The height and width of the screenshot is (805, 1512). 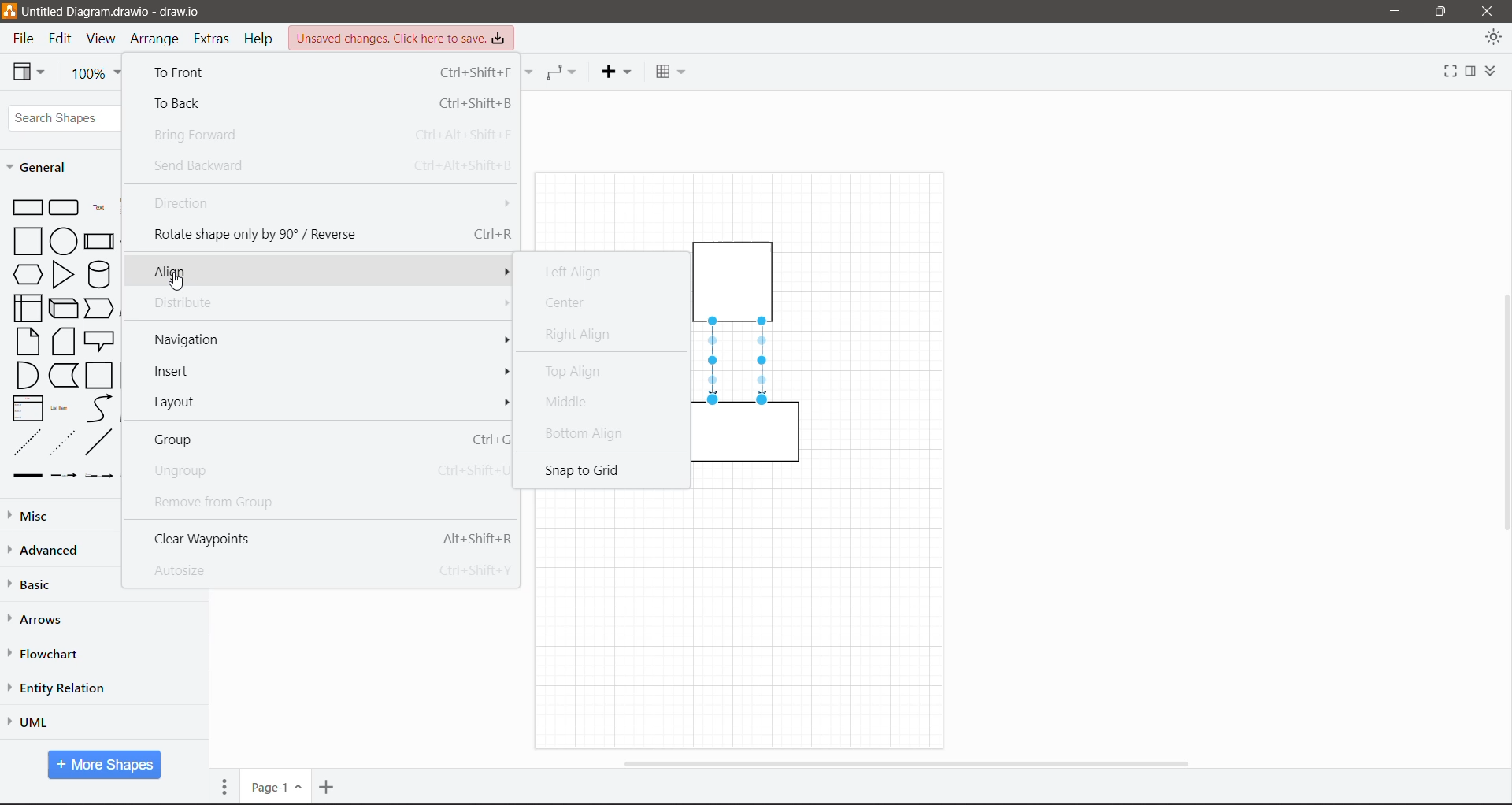 I want to click on Middle, so click(x=568, y=405).